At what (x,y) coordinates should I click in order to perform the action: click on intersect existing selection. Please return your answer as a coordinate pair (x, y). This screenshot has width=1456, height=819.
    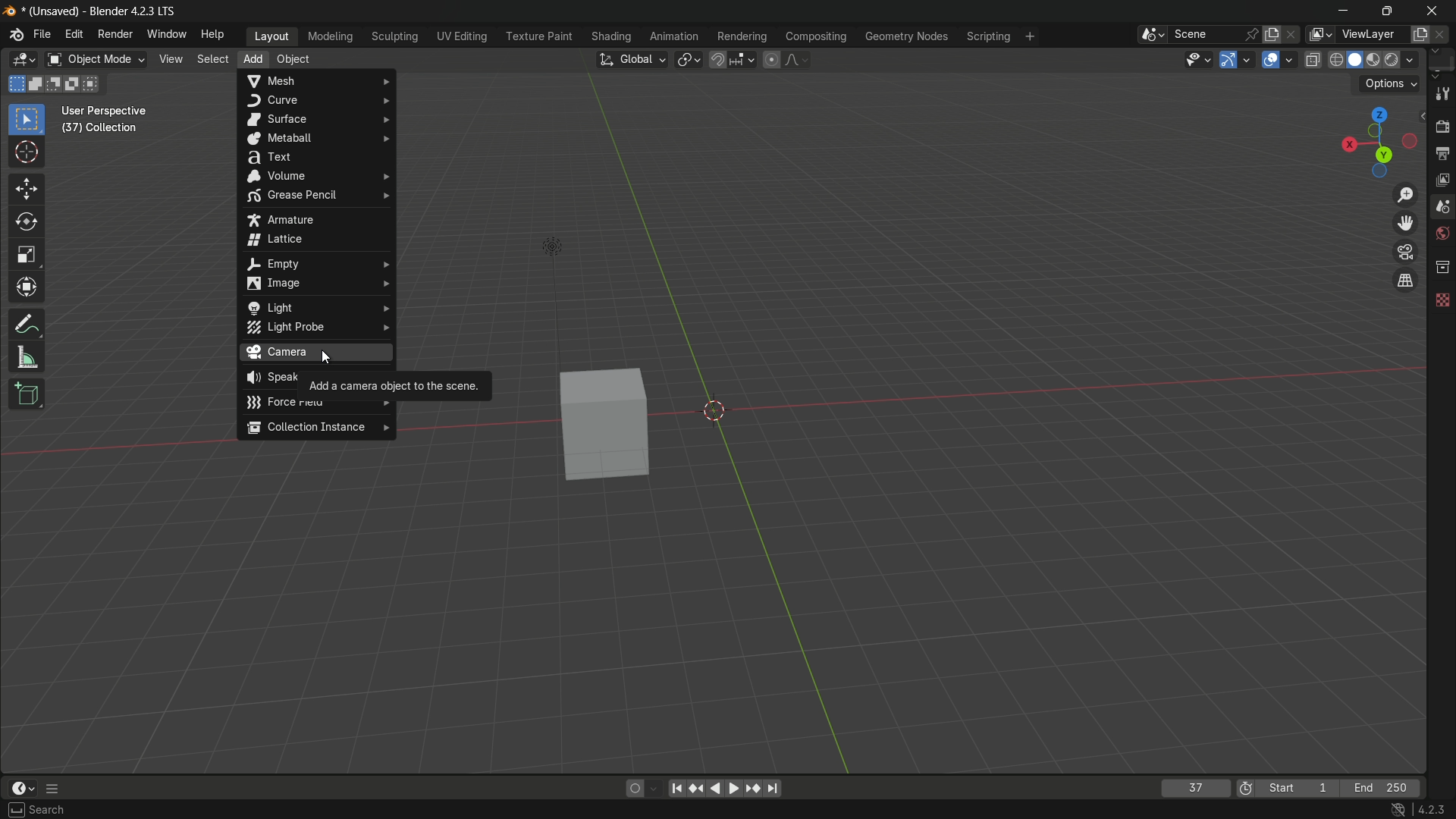
    Looking at the image, I should click on (98, 84).